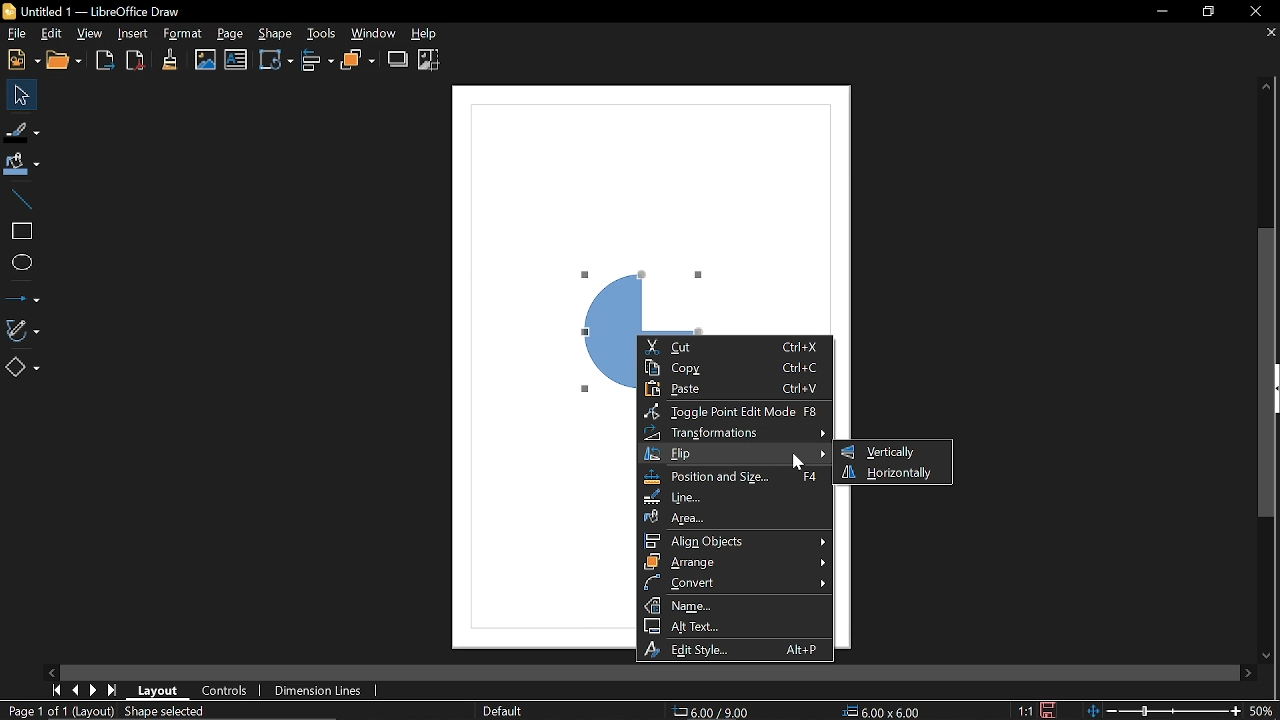 The image size is (1280, 720). I want to click on Insert image, so click(205, 60).